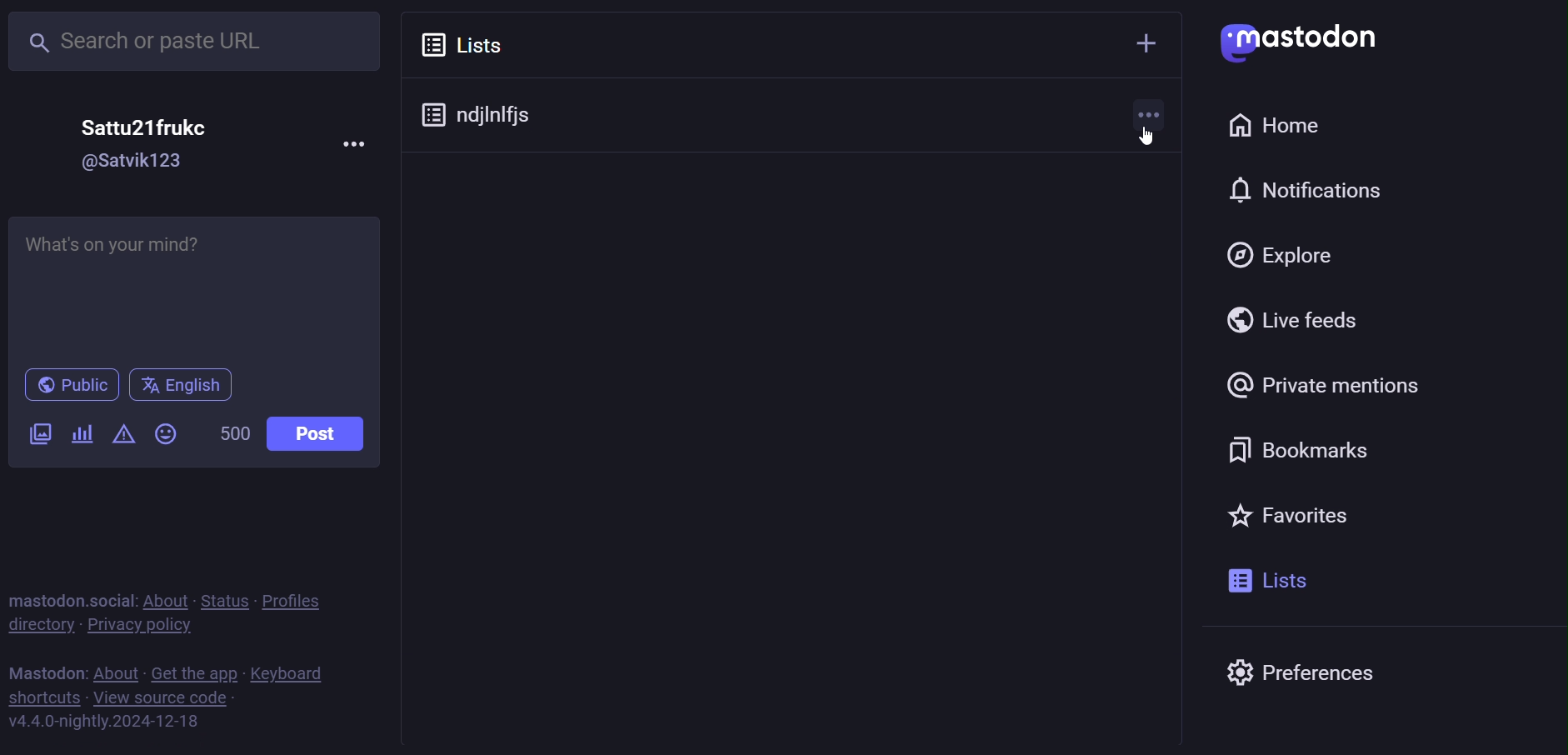 The image size is (1568, 755). I want to click on preferences, so click(1301, 667).